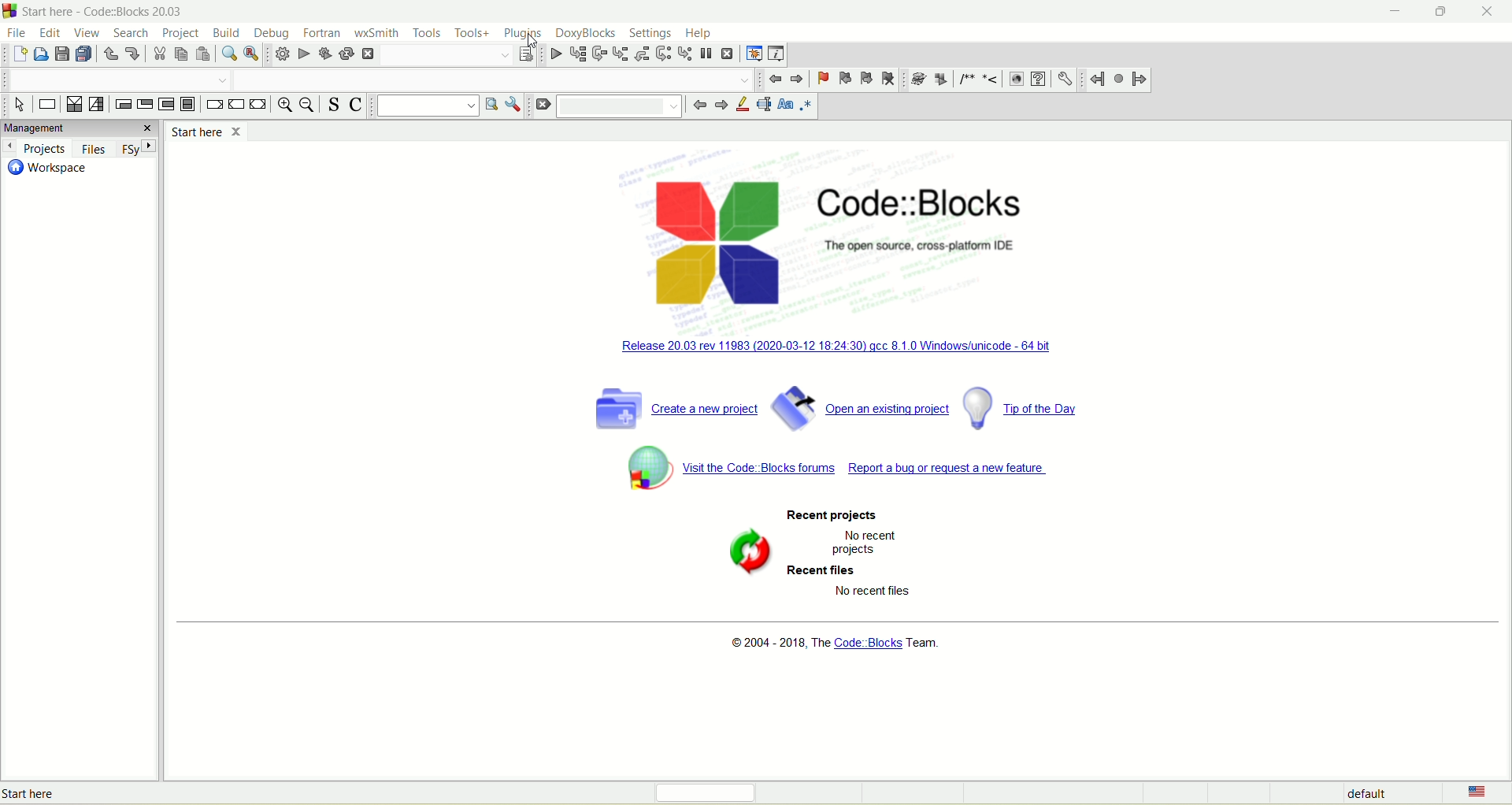 This screenshot has width=1512, height=805. I want to click on settings, so click(1064, 77).